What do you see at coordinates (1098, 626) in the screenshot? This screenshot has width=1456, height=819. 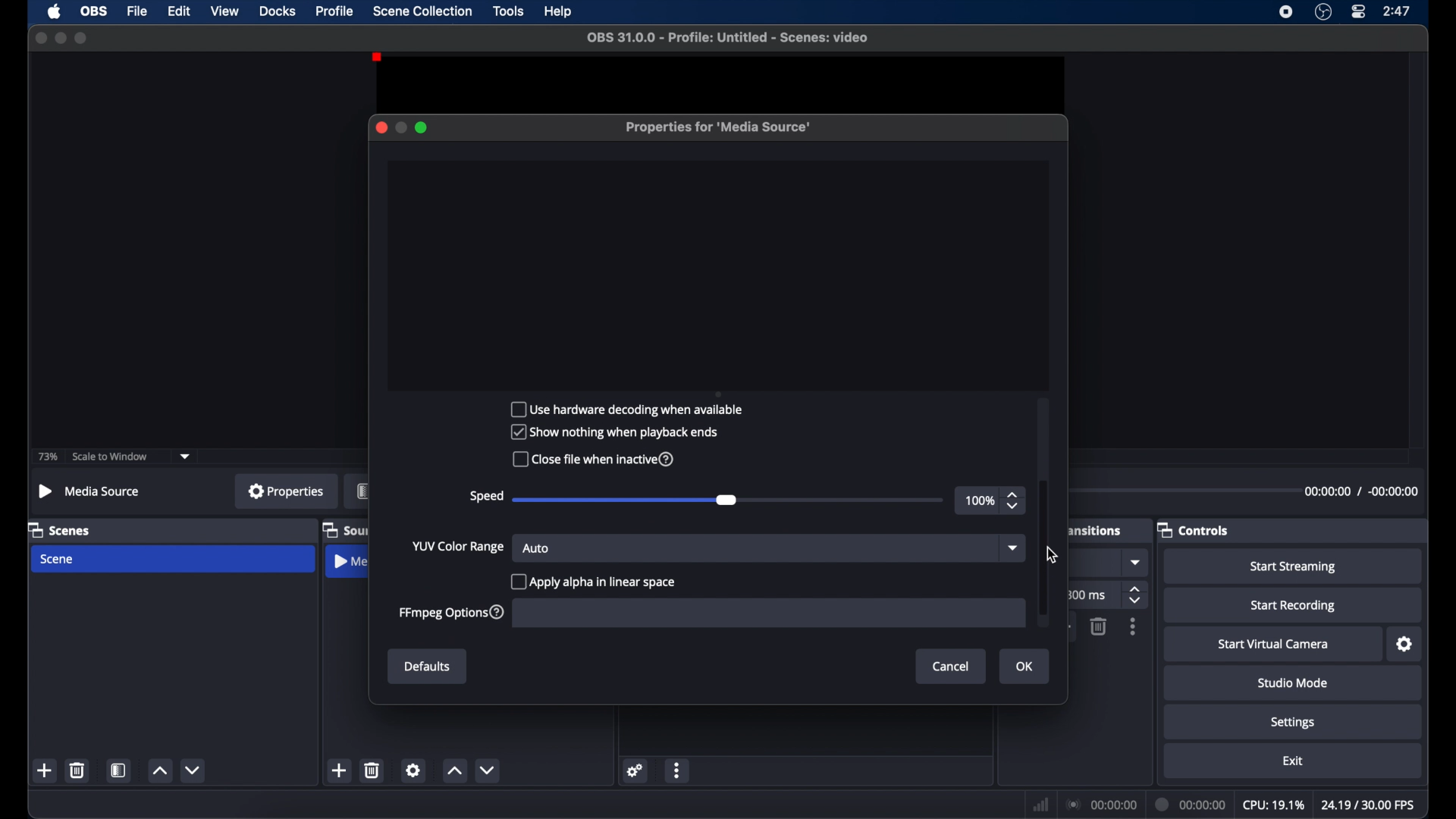 I see `delete` at bounding box center [1098, 626].